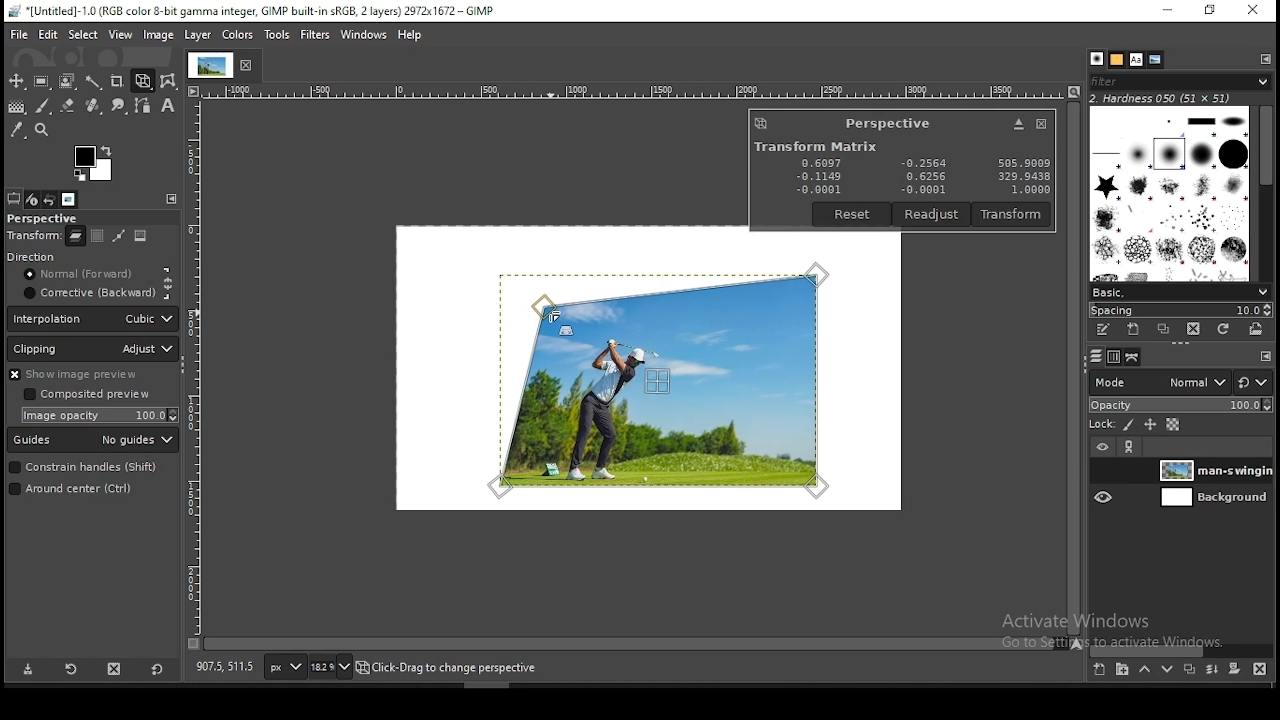 The width and height of the screenshot is (1280, 720). I want to click on constraint proportions, so click(169, 282).